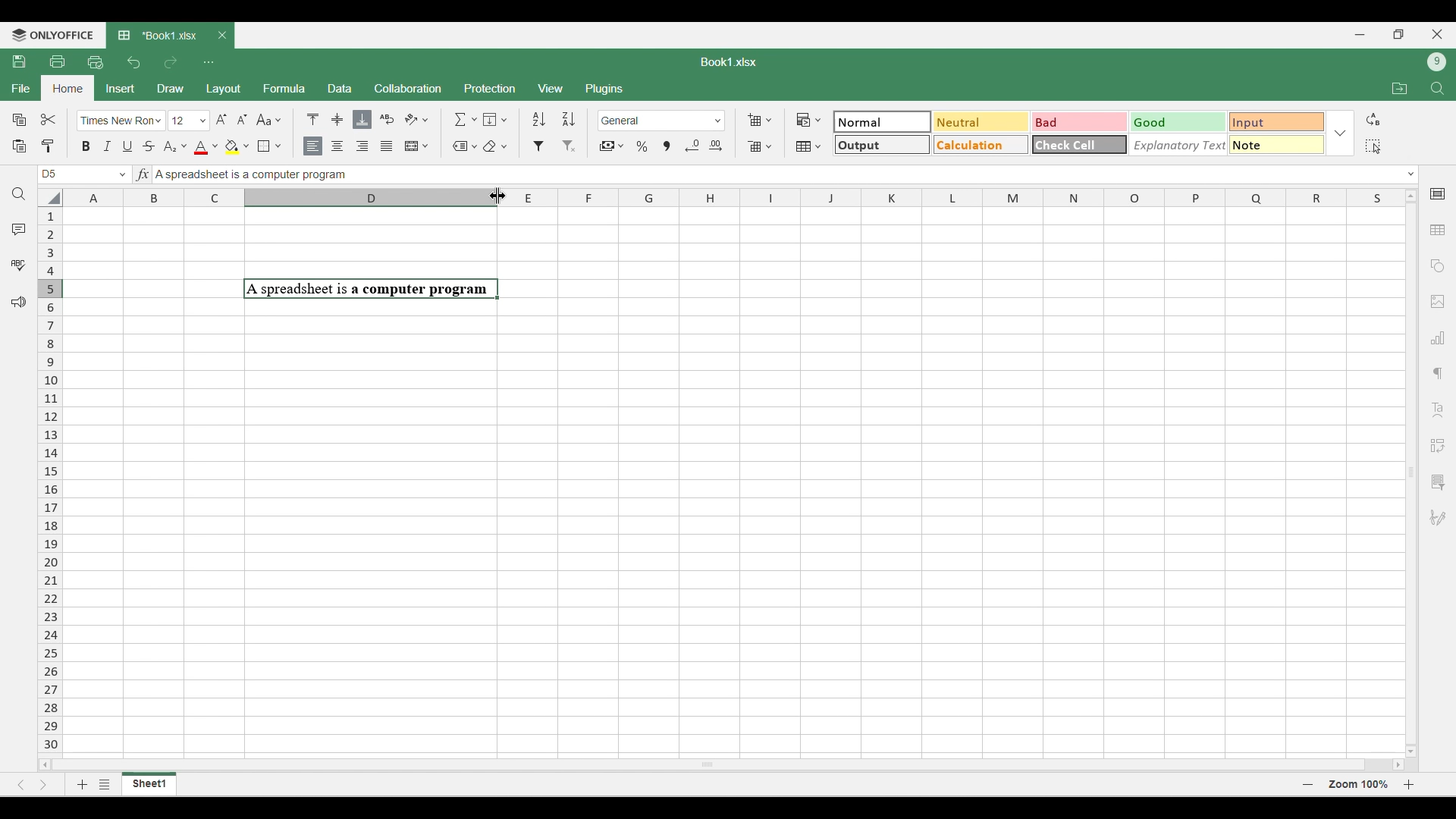 The image size is (1456, 819). Describe the element at coordinates (1412, 472) in the screenshot. I see `Vertical slide bar` at that location.